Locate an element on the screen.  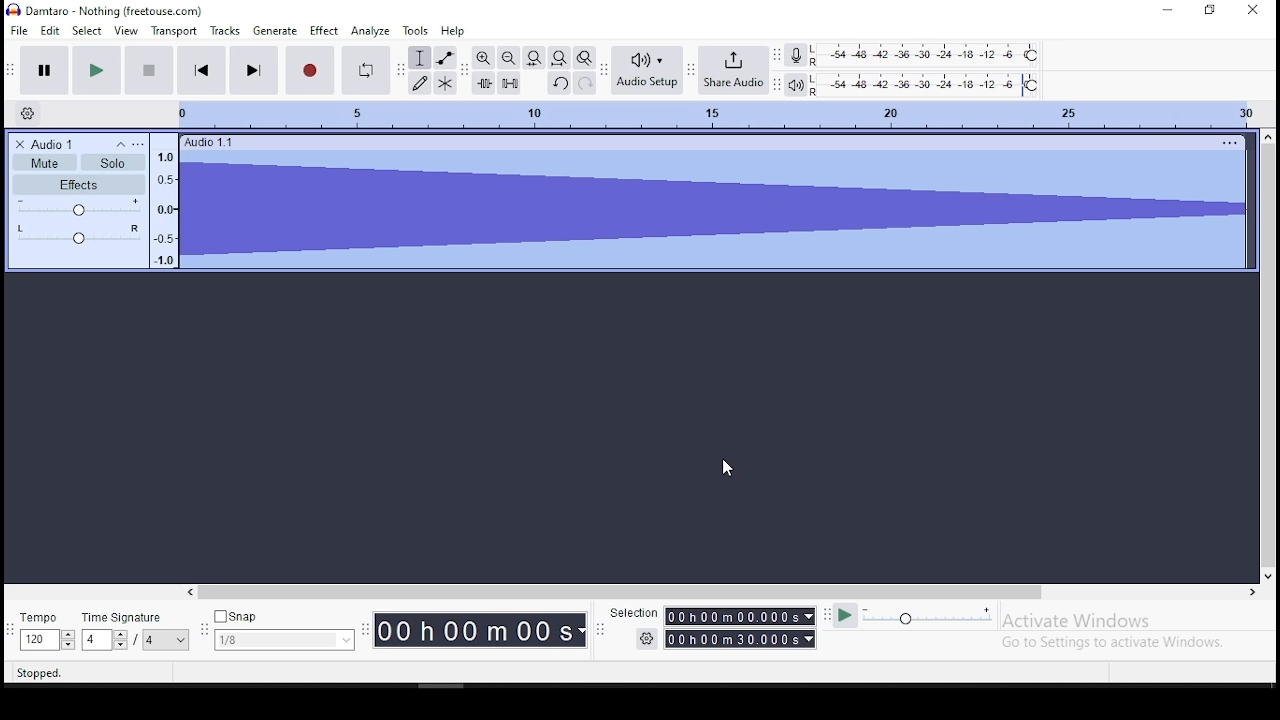
envelope tool is located at coordinates (446, 58).